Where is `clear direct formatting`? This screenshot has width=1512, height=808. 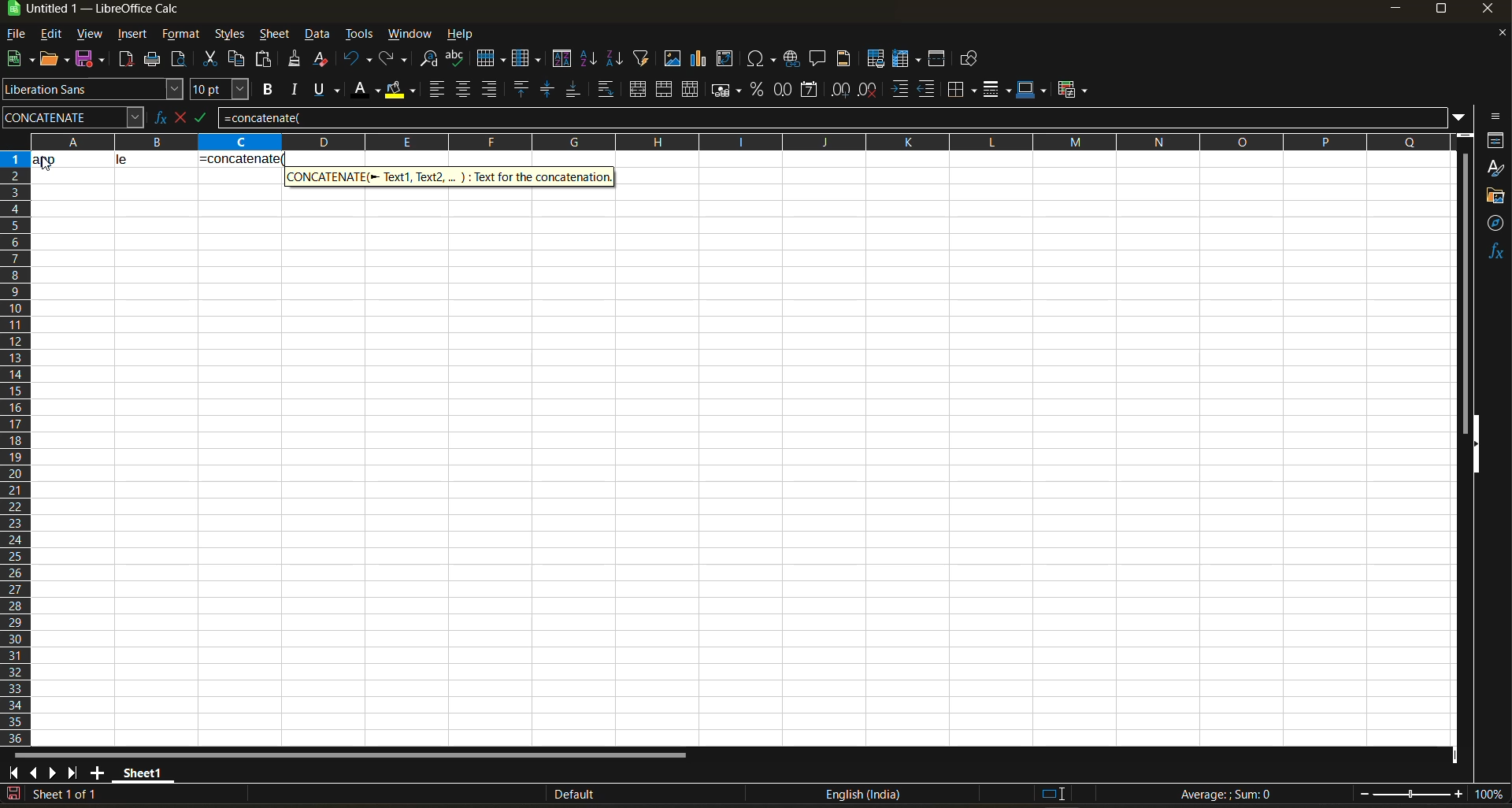 clear direct formatting is located at coordinates (324, 58).